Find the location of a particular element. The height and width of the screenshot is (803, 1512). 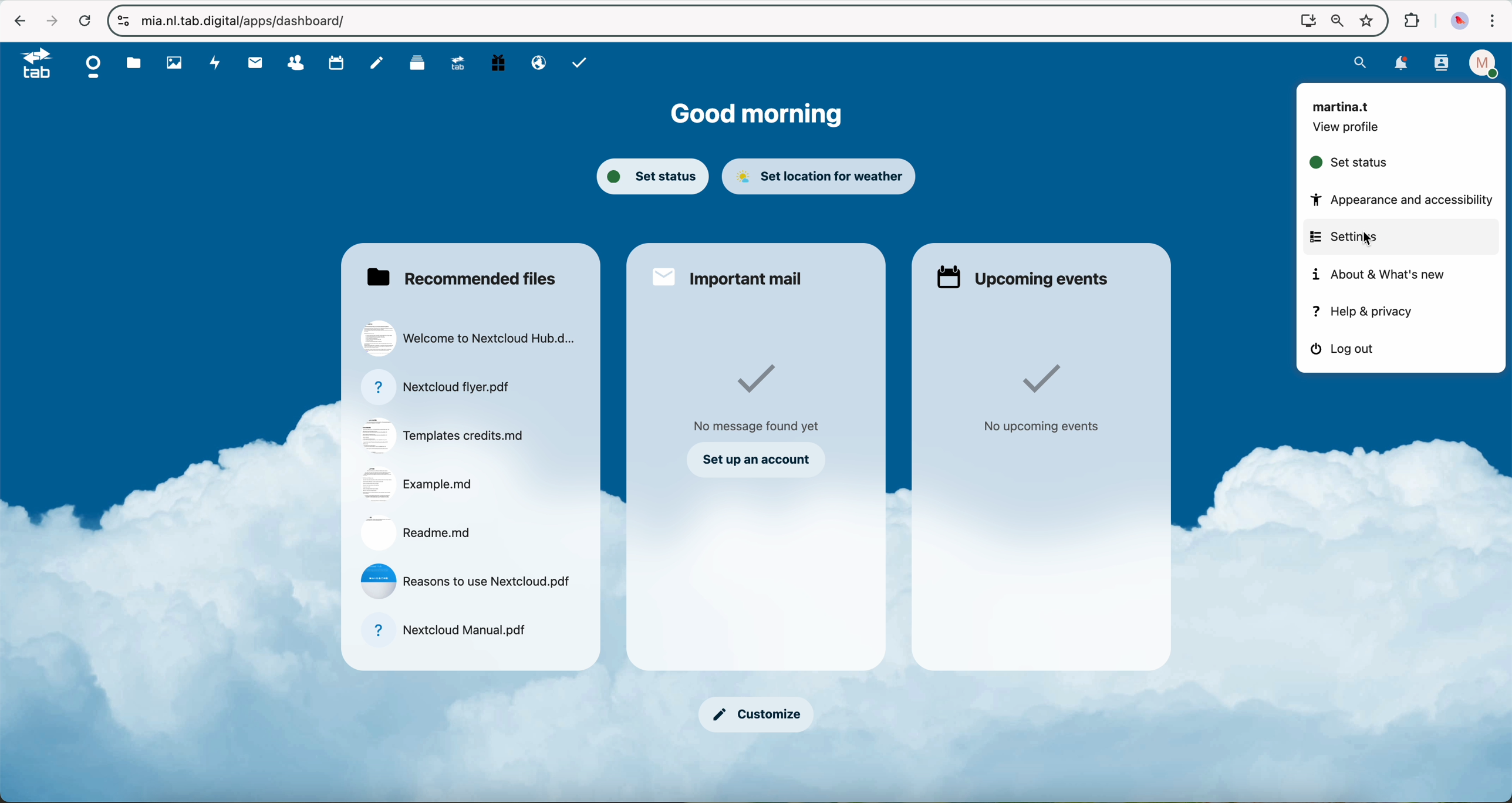

free trial PC is located at coordinates (500, 65).